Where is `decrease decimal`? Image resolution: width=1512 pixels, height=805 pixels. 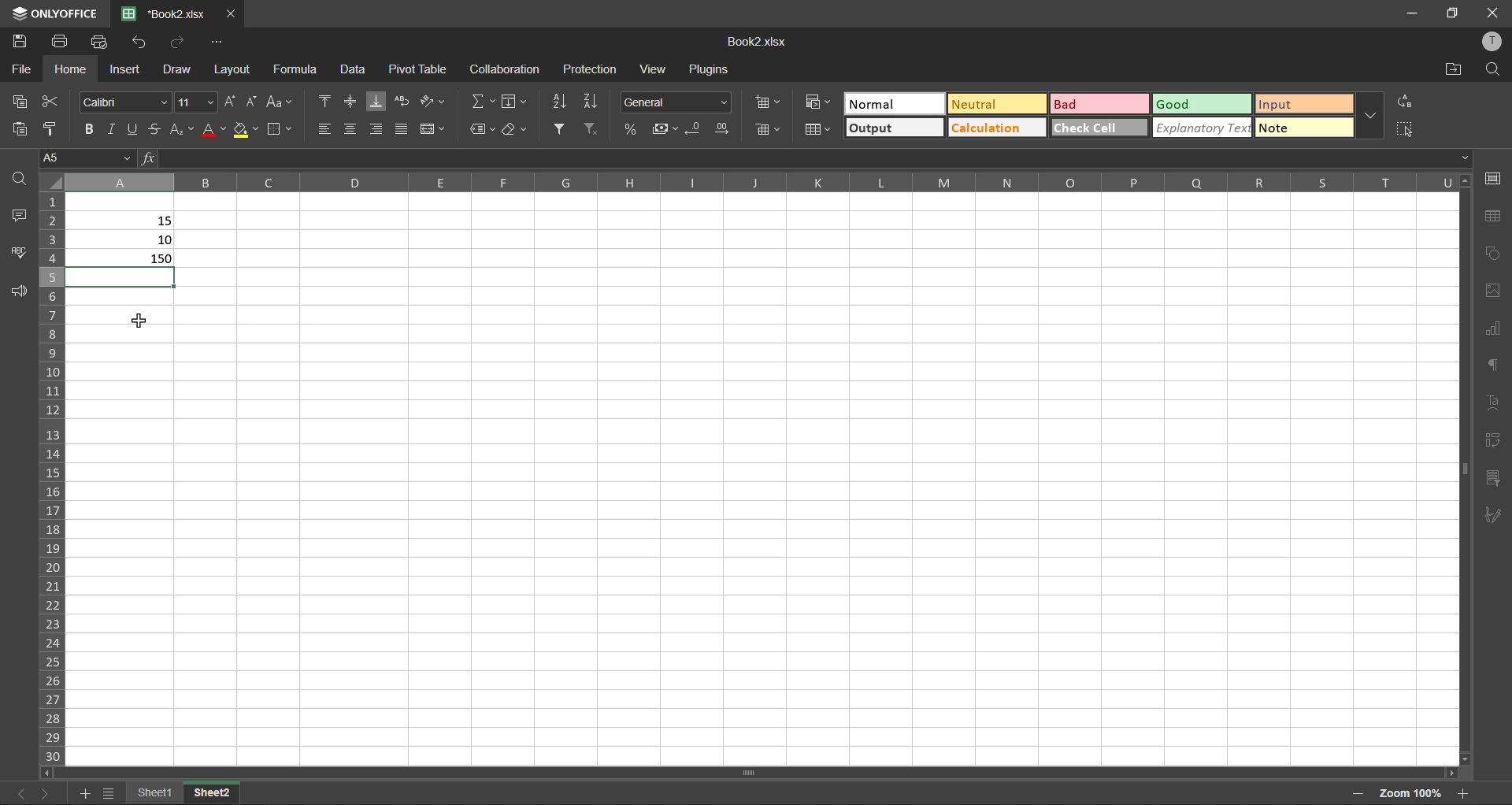 decrease decimal is located at coordinates (698, 129).